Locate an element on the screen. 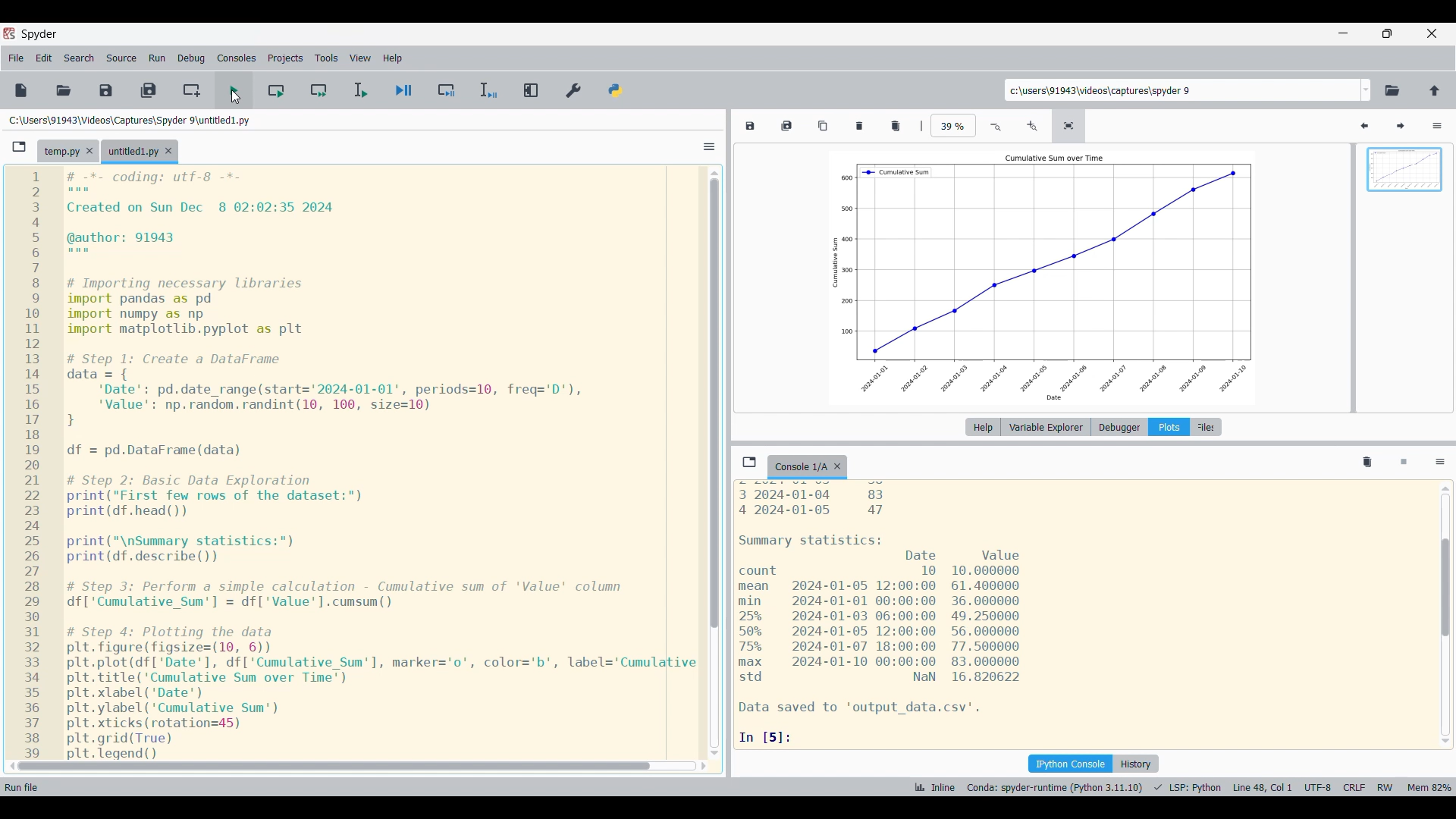 The height and width of the screenshot is (819, 1456). Projects menu is located at coordinates (286, 58).